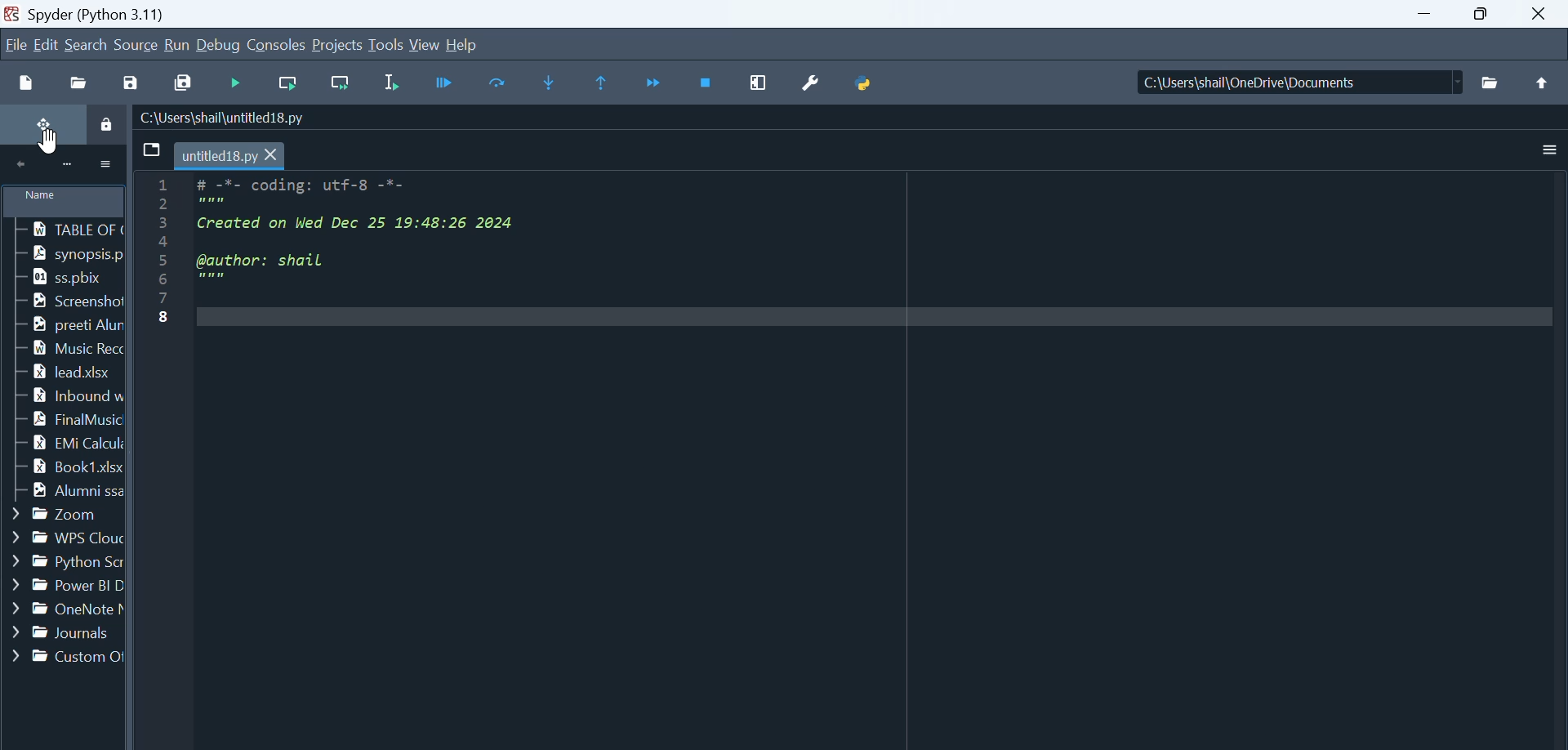 This screenshot has height=750, width=1568. I want to click on Journals, so click(64, 635).